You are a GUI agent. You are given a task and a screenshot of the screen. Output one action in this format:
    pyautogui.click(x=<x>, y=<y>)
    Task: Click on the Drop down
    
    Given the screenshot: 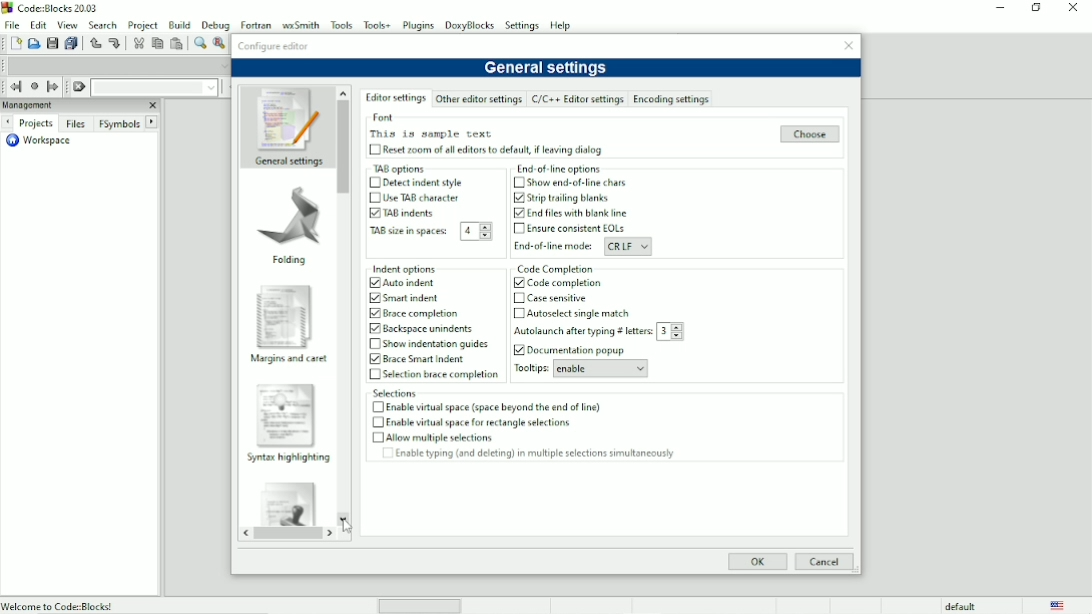 What is the action you would take?
    pyautogui.click(x=677, y=331)
    